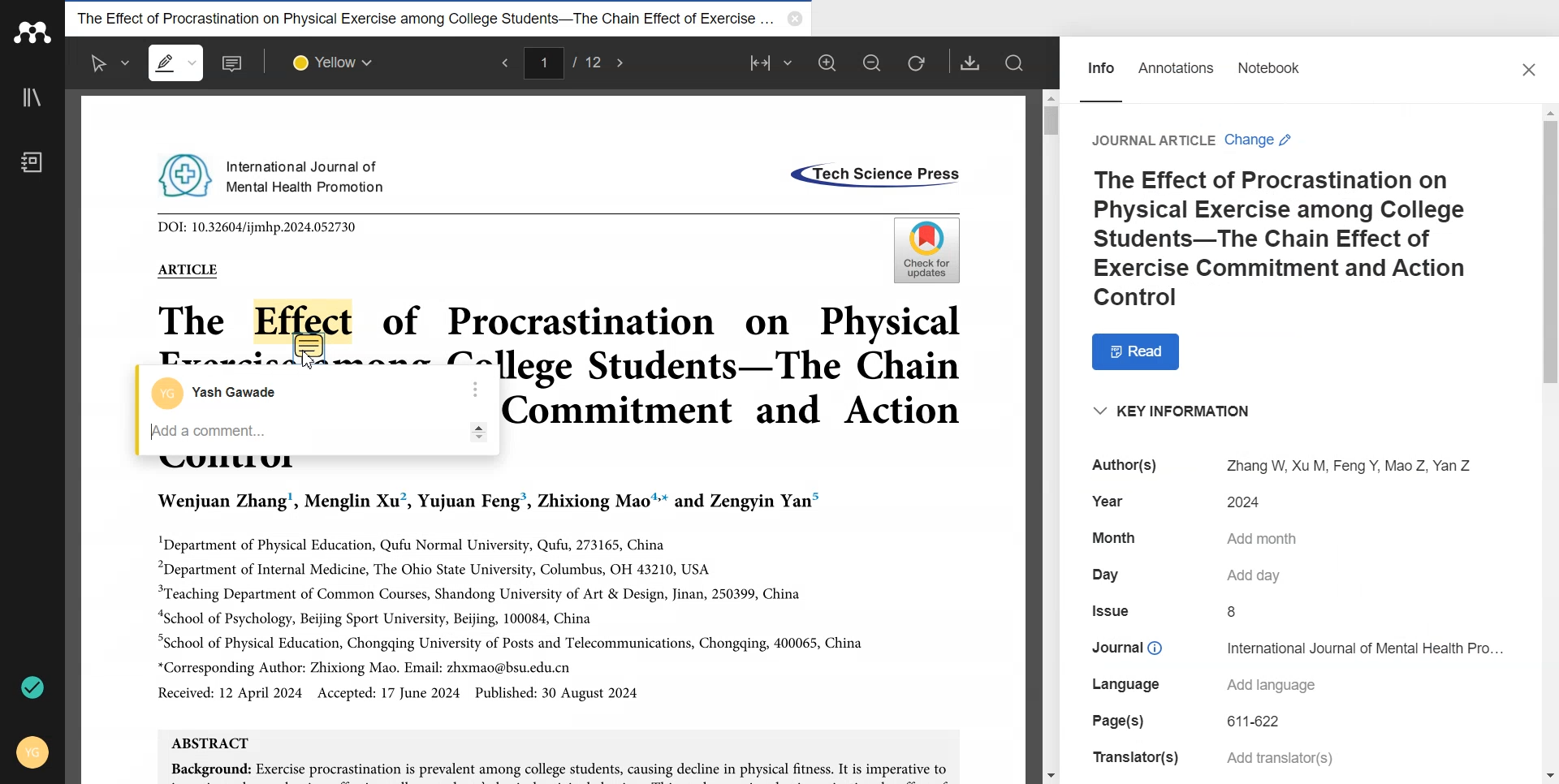 The image size is (1559, 784). What do you see at coordinates (511, 616) in the screenshot?
I see `"Department of Physical Education, Qufu Normal University, Qufu, 273165, China

“Department of Internal Medicine, The Ohio State University, Columbus, OH 43210, USA

“Teaching Department of Common Courses, Shandong University of Art & Design, Jinan, 250399, China

“School of Psychology, Beijing Sport University, Beijing, 100084, China

“School of Physical Education, Chongqing University of Posts and Telecommunications, Chongqing, 400065, China
*Corresponding Author: Zhixiong Mao. Email: zhxmao@bsu.edu.cn

Received: 12 April 2024 Accepted: 17 June 2024 Published: 30 August 2024` at bounding box center [511, 616].